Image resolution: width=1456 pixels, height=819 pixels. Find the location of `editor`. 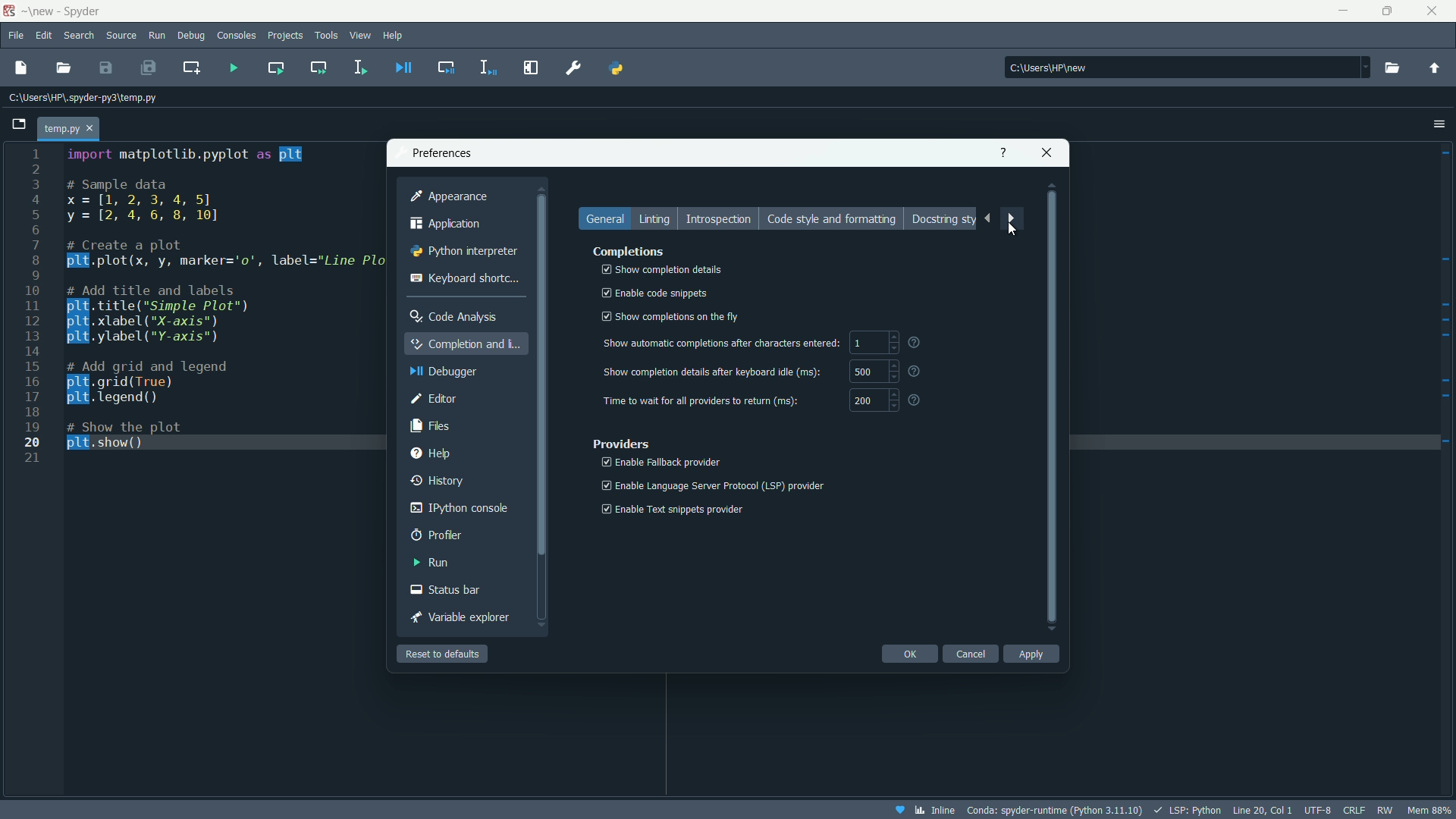

editor is located at coordinates (434, 398).